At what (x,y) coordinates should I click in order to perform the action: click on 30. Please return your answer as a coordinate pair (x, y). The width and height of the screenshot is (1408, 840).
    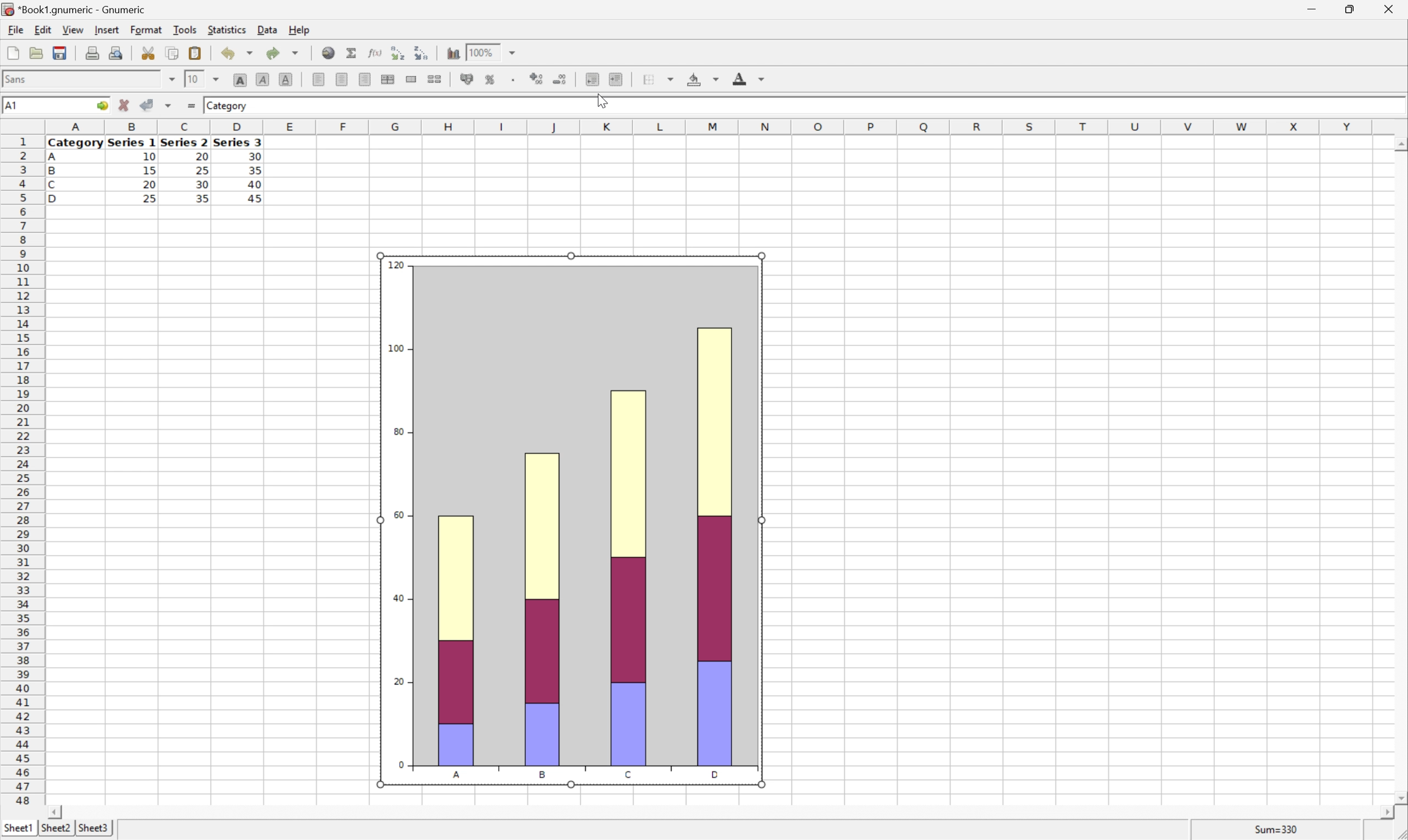
    Looking at the image, I should click on (203, 186).